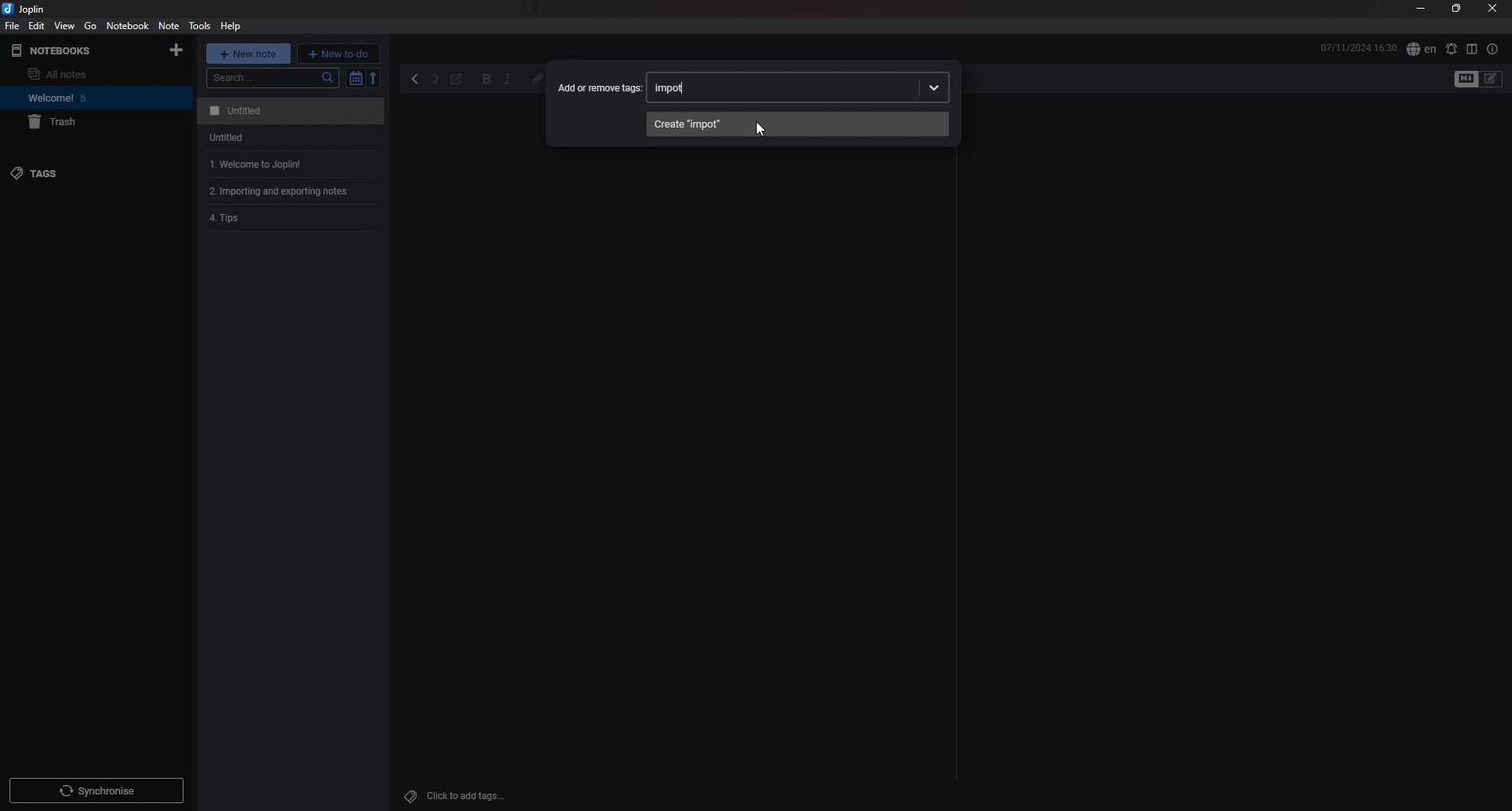 This screenshot has width=1512, height=811. What do you see at coordinates (293, 192) in the screenshot?
I see `2. Importing and exporting notes:` at bounding box center [293, 192].